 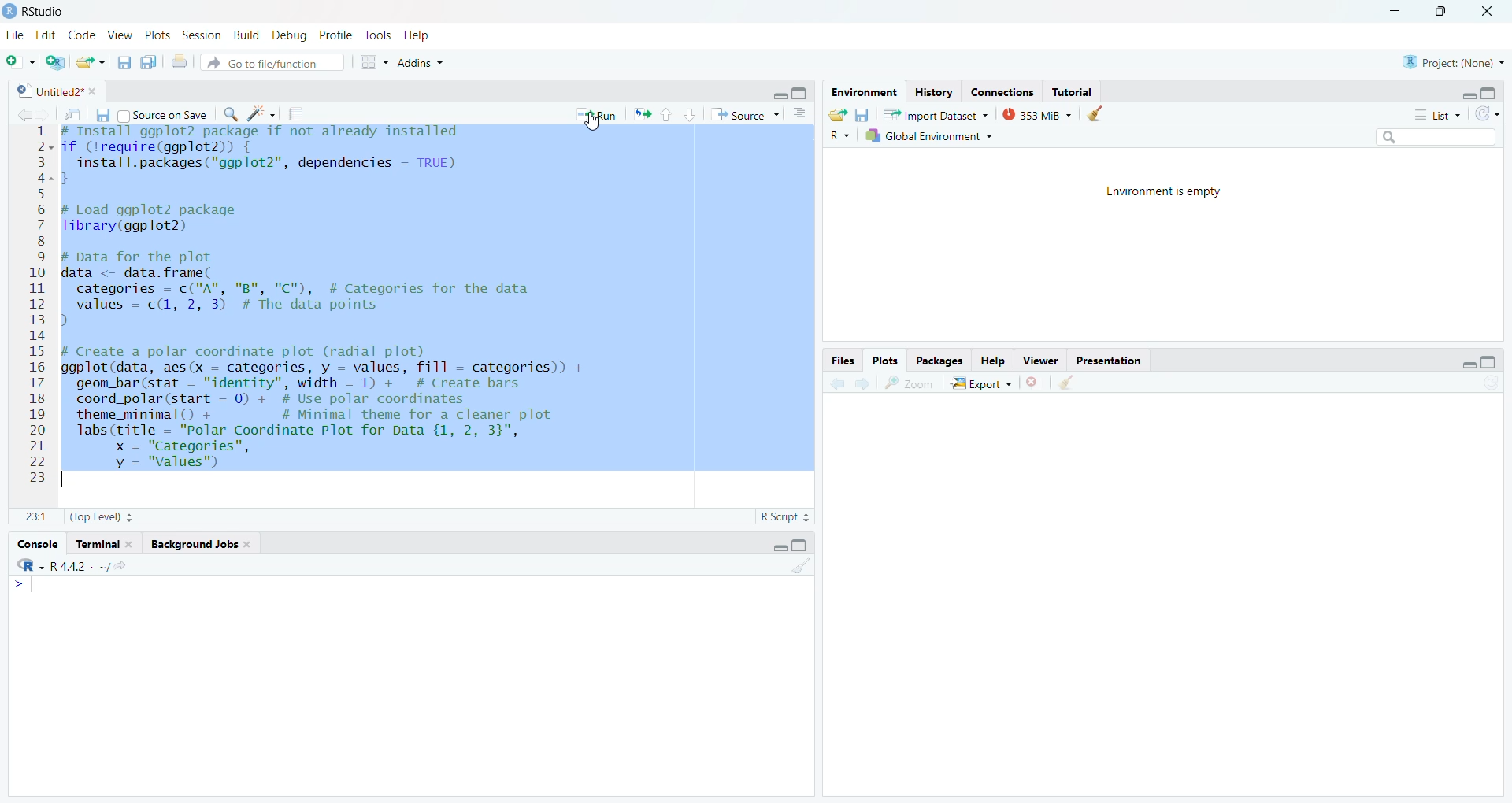 I want to click on Connections., so click(x=1005, y=93).